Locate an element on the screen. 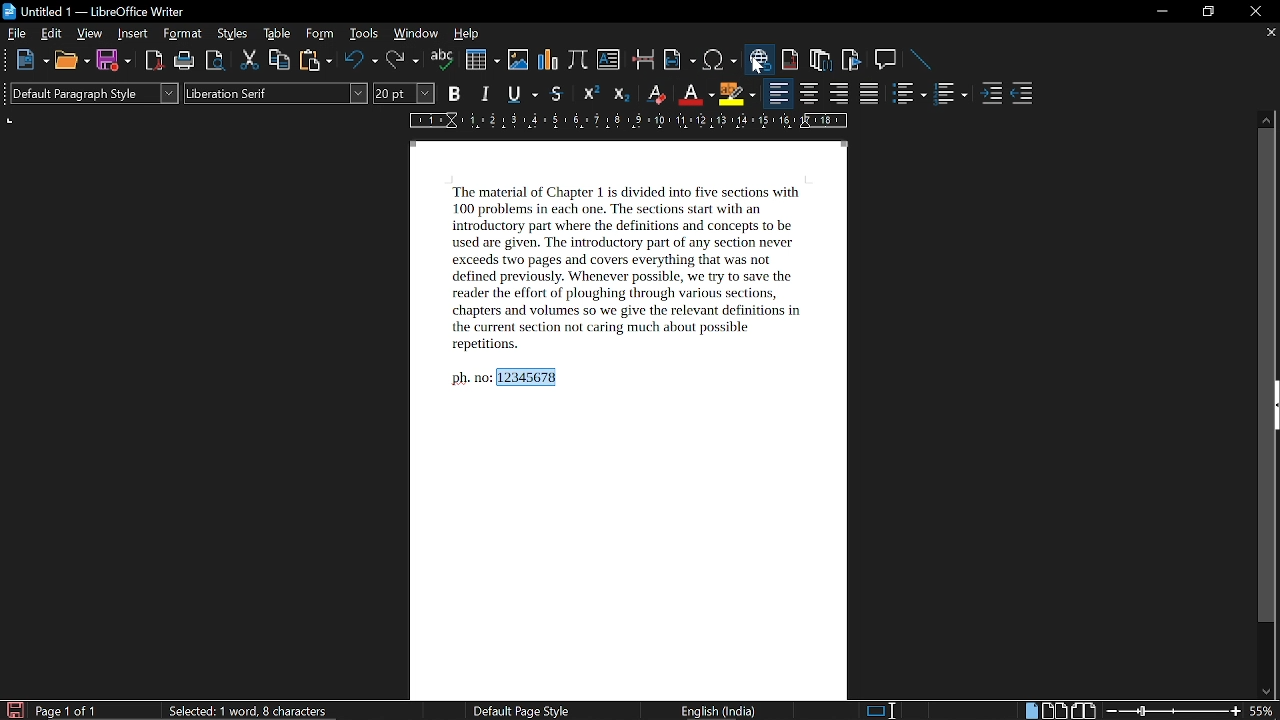 The image size is (1280, 720). eraser is located at coordinates (654, 94).